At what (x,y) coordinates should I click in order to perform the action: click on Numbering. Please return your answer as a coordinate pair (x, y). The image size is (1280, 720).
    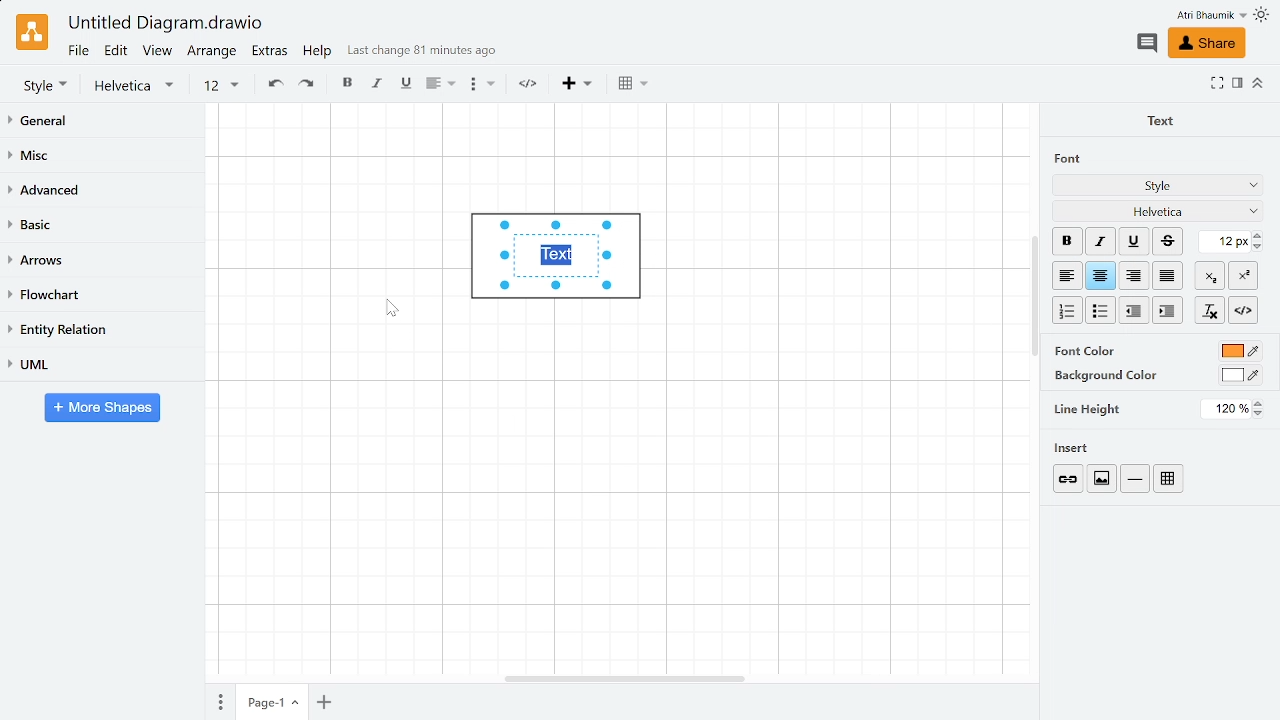
    Looking at the image, I should click on (1068, 311).